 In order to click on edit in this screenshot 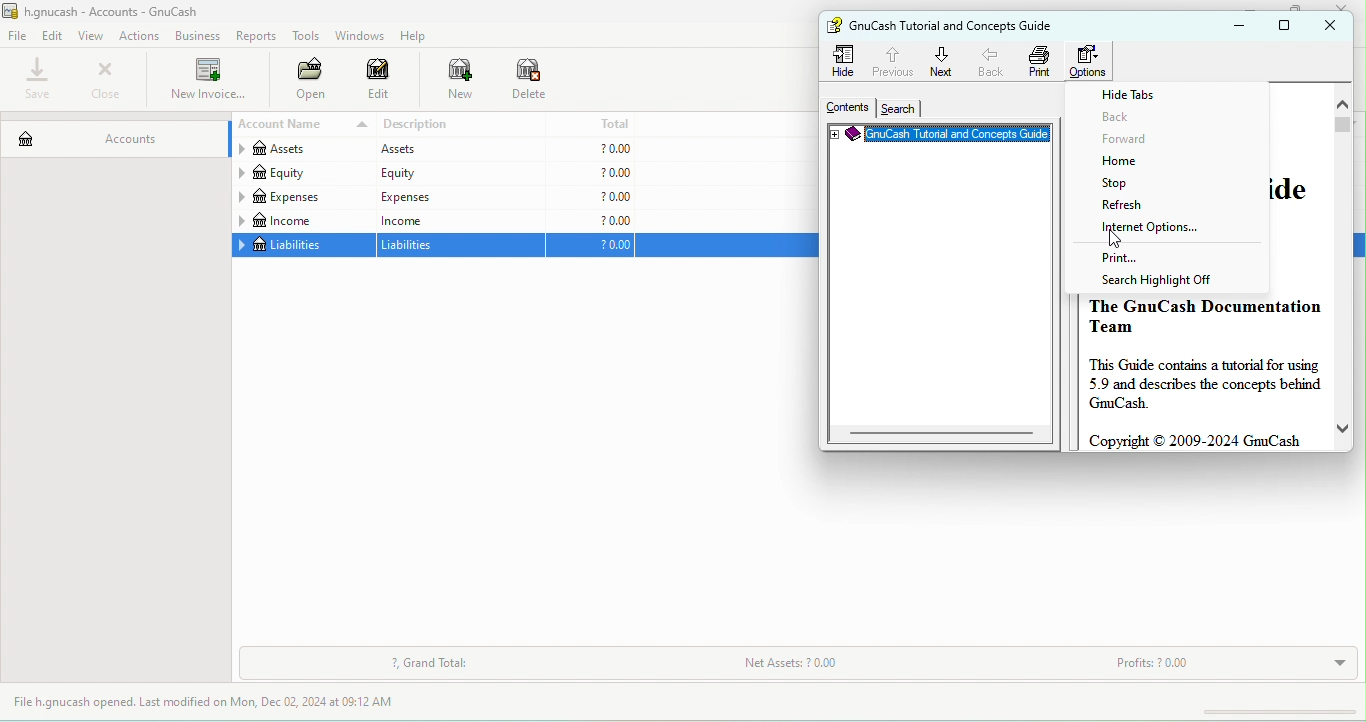, I will do `click(54, 35)`.